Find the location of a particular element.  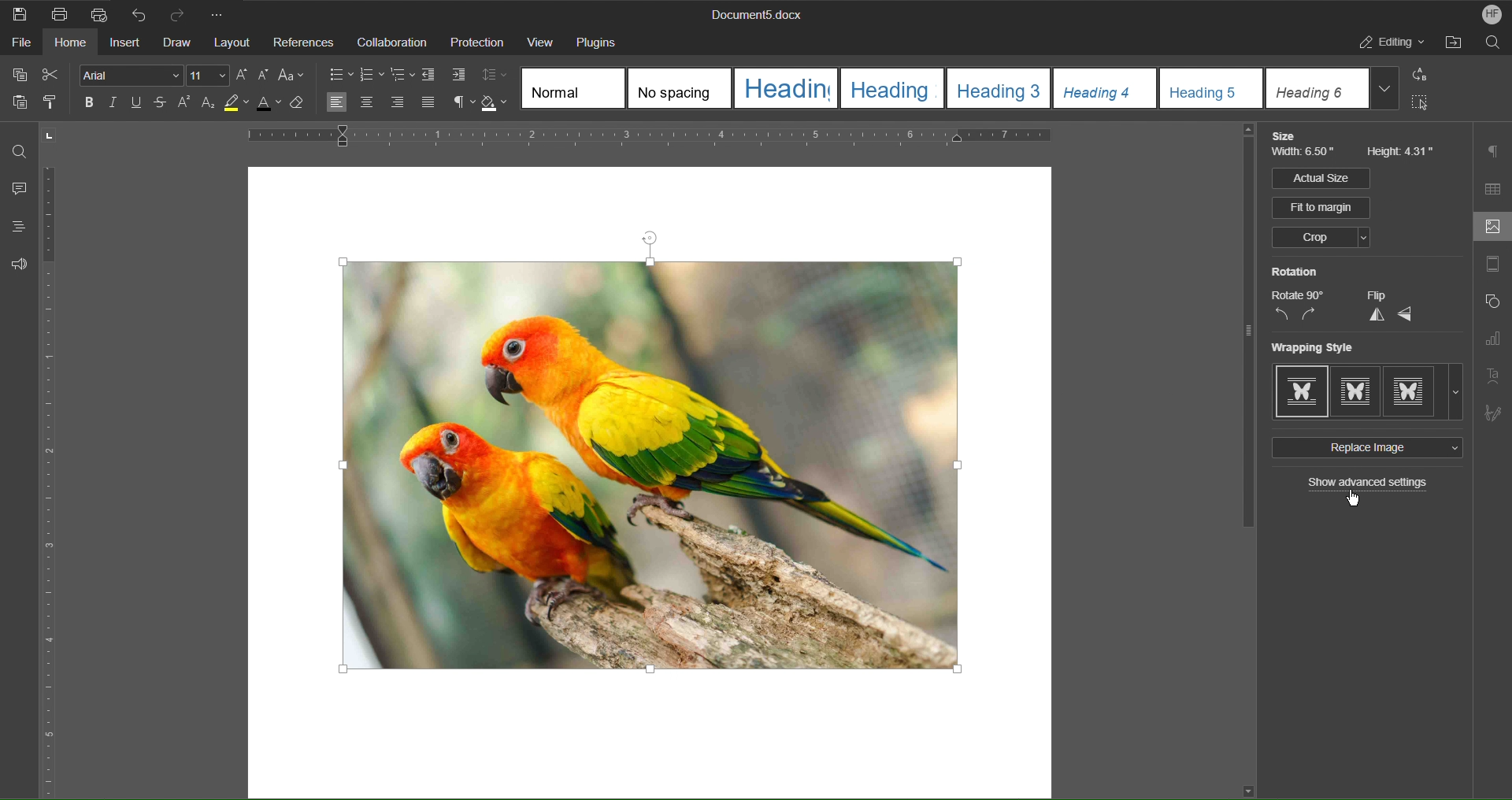

Crop is located at coordinates (1320, 239).